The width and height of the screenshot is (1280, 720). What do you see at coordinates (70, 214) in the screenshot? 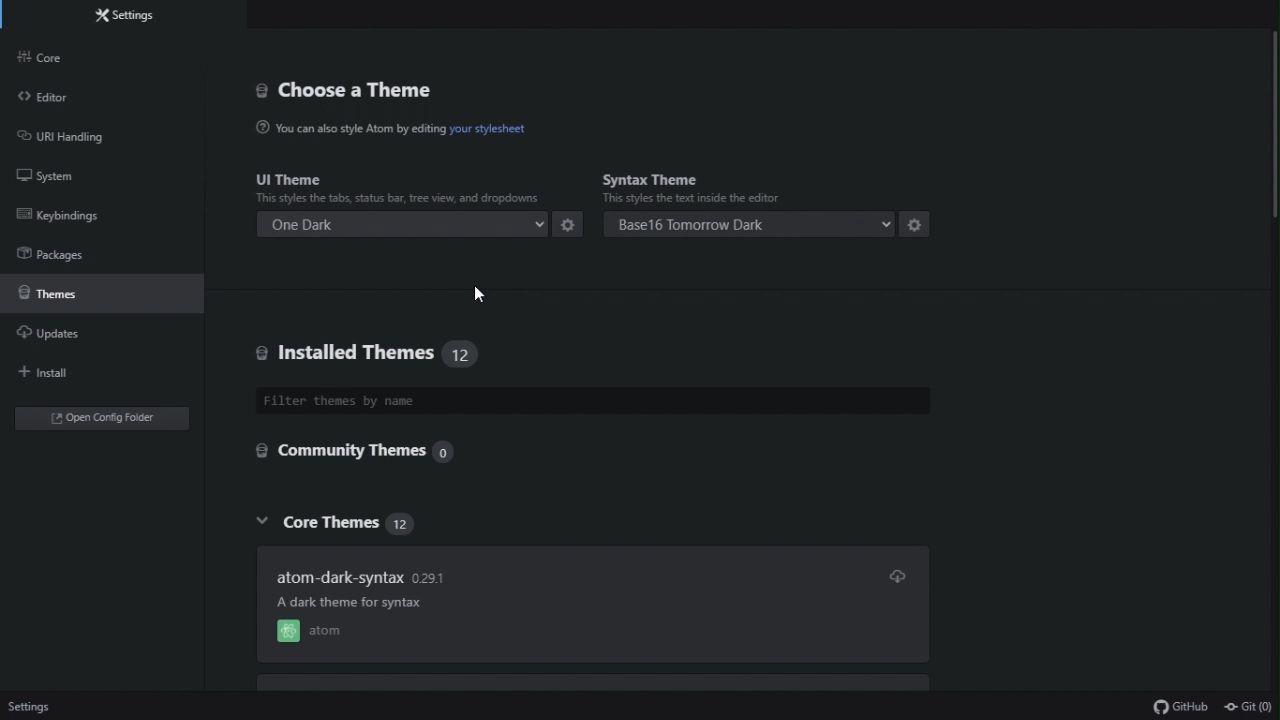
I see `key Bindings` at bounding box center [70, 214].